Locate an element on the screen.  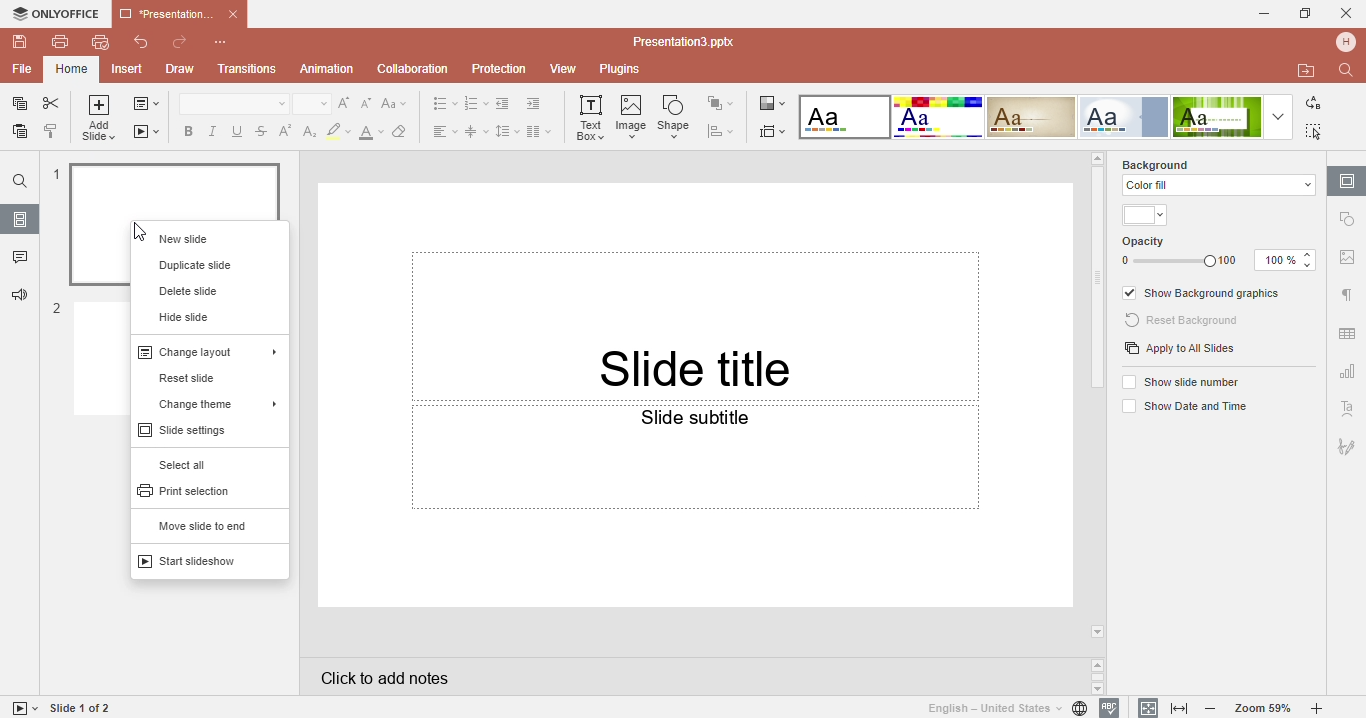
Spell checking is located at coordinates (1110, 708).